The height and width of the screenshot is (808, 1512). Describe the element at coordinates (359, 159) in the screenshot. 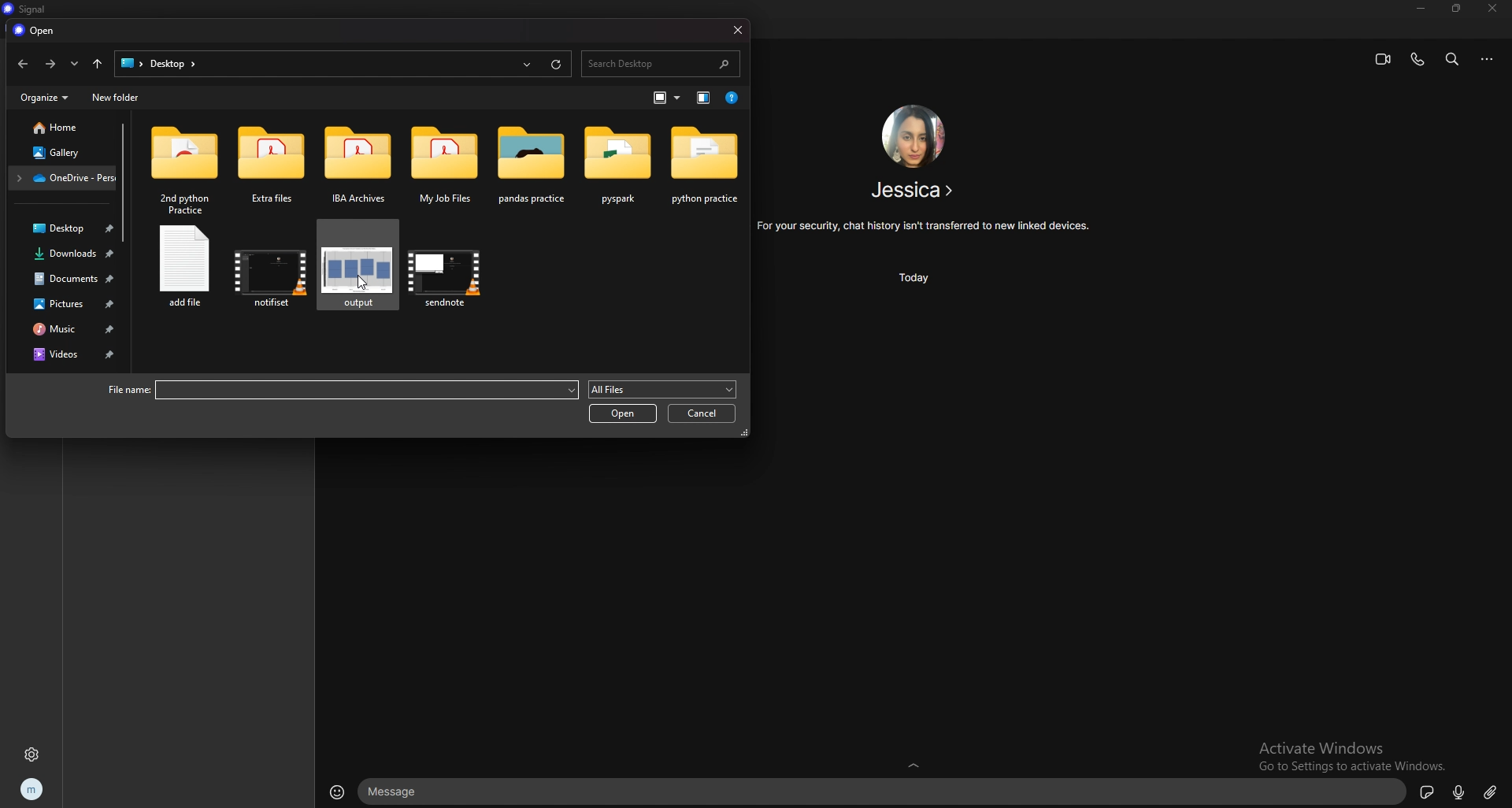

I see `folder` at that location.